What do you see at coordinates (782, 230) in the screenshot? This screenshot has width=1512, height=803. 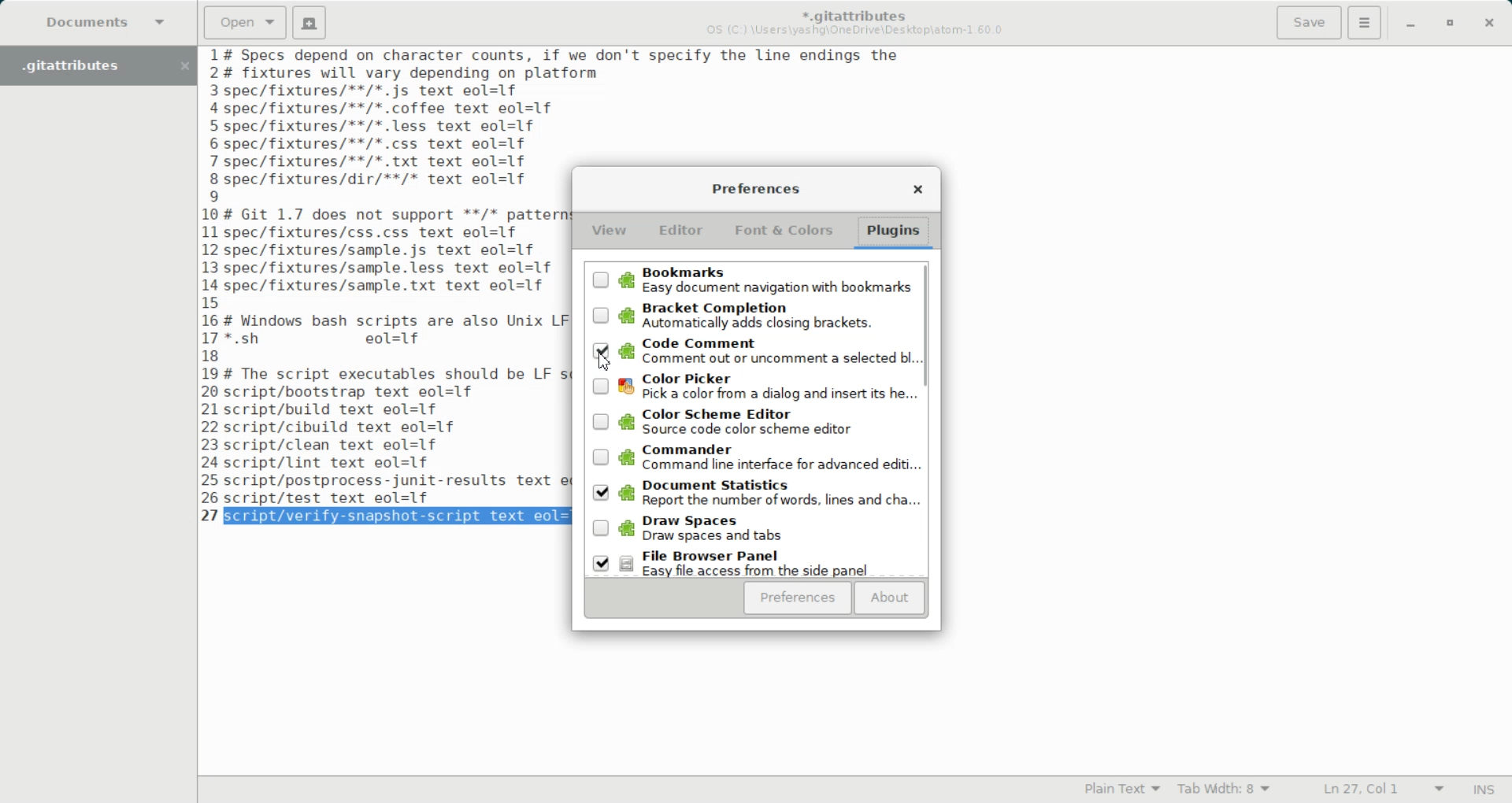 I see `Font & Colors` at bounding box center [782, 230].